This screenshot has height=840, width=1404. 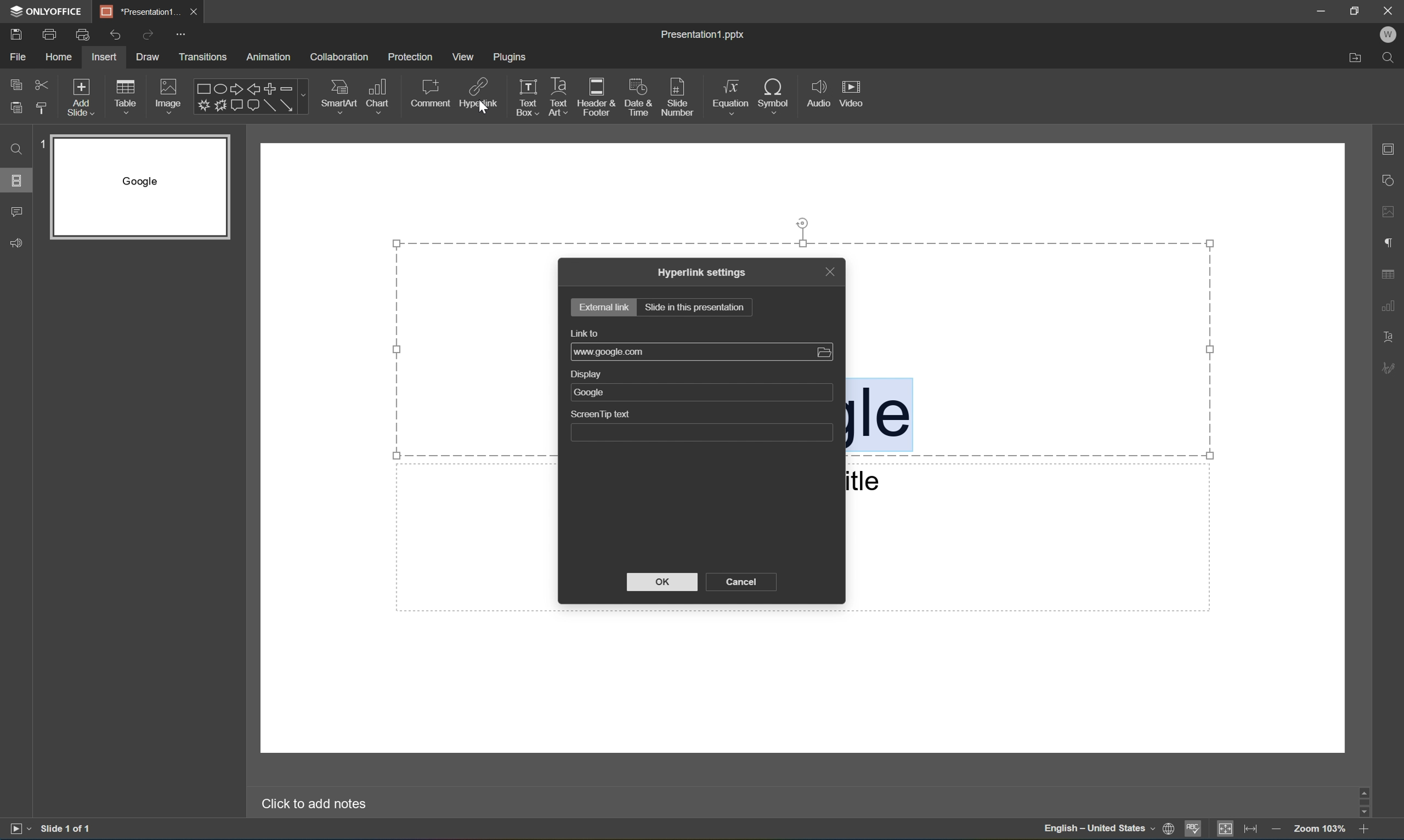 What do you see at coordinates (84, 97) in the screenshot?
I see `Add slide` at bounding box center [84, 97].